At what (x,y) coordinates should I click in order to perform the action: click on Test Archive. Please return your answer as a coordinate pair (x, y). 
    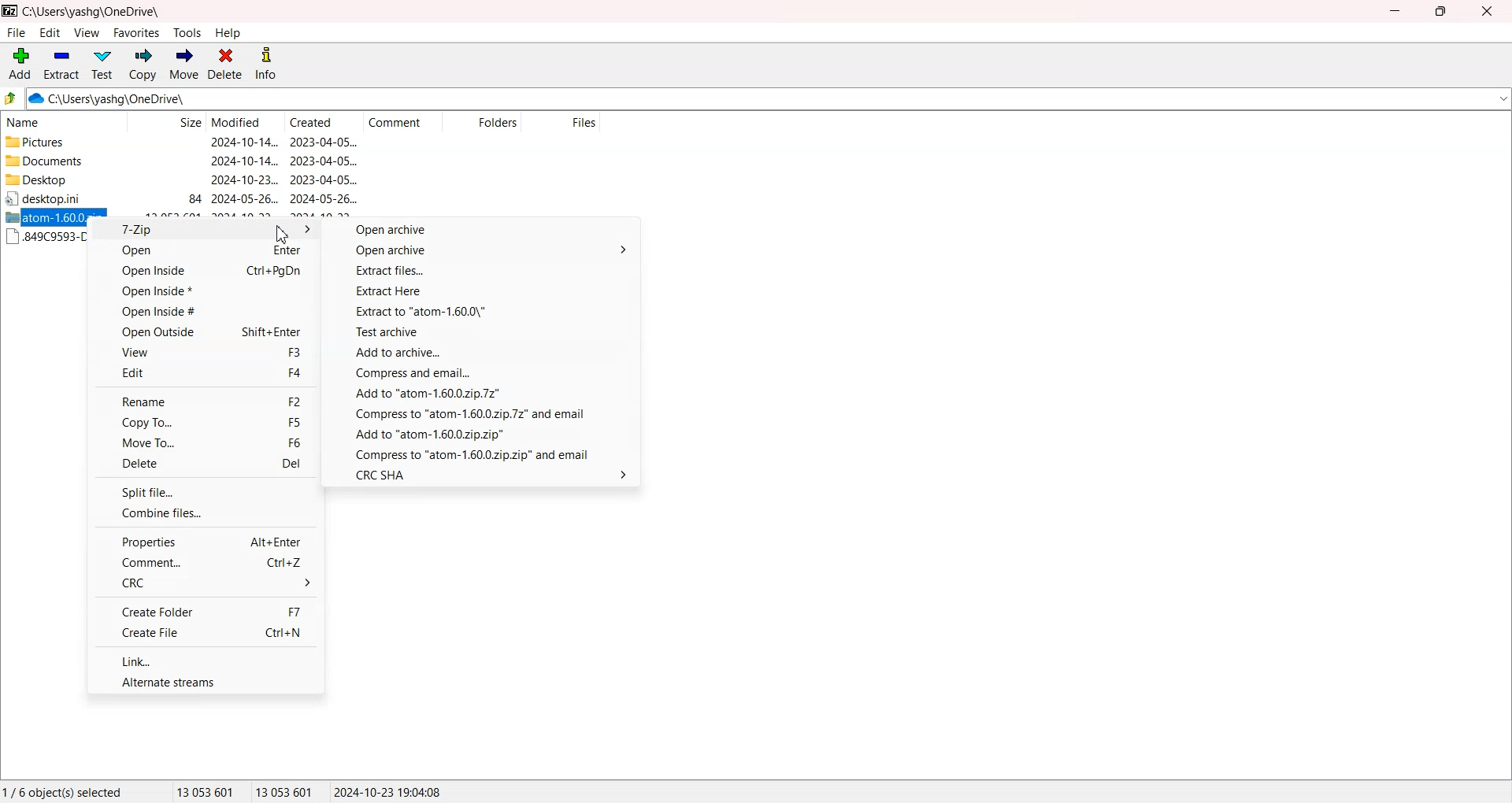
    Looking at the image, I should click on (484, 334).